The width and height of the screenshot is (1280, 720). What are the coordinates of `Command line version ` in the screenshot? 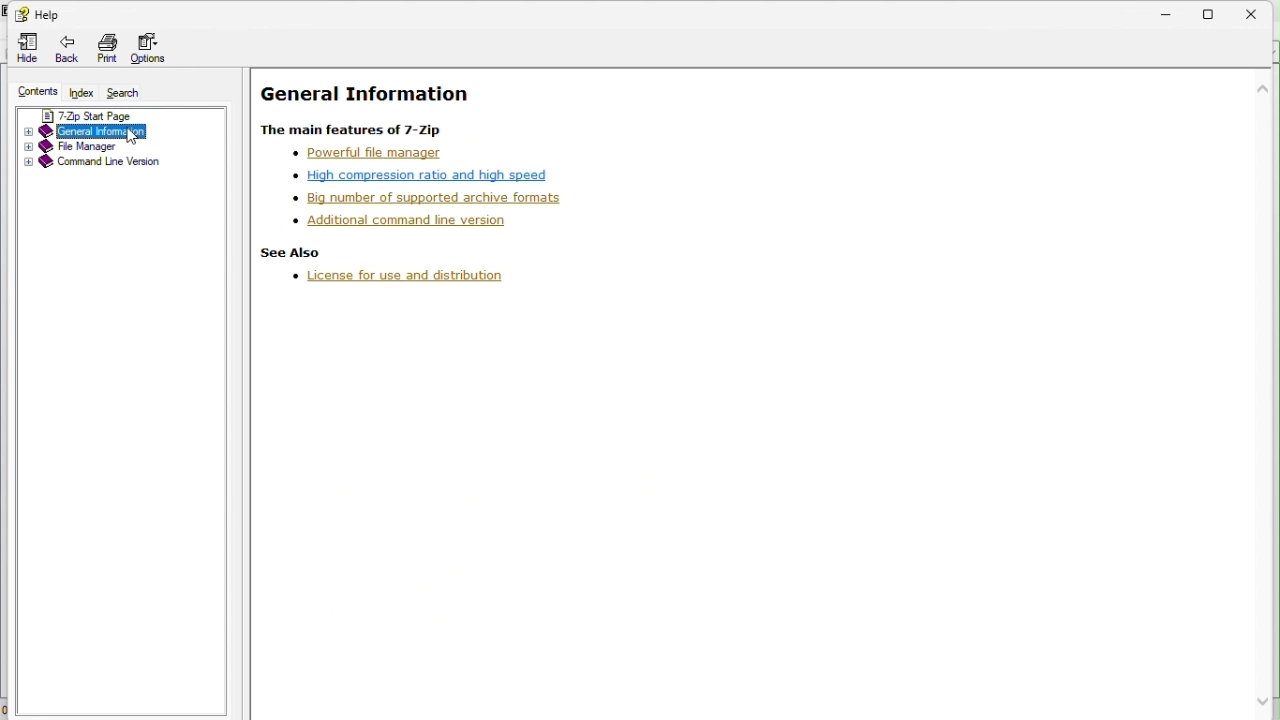 It's located at (91, 166).